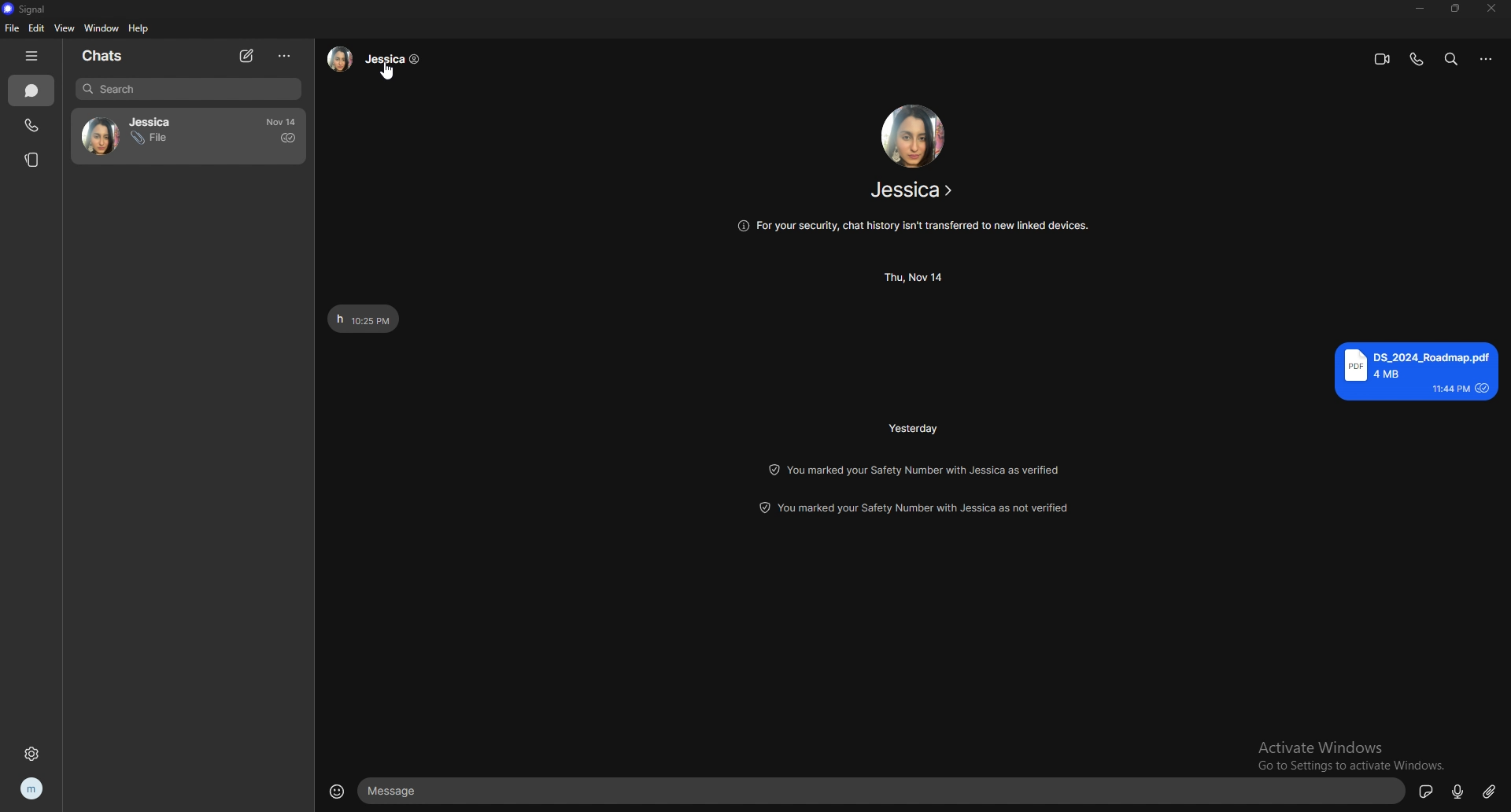 This screenshot has width=1511, height=812. I want to click on calls, so click(34, 123).